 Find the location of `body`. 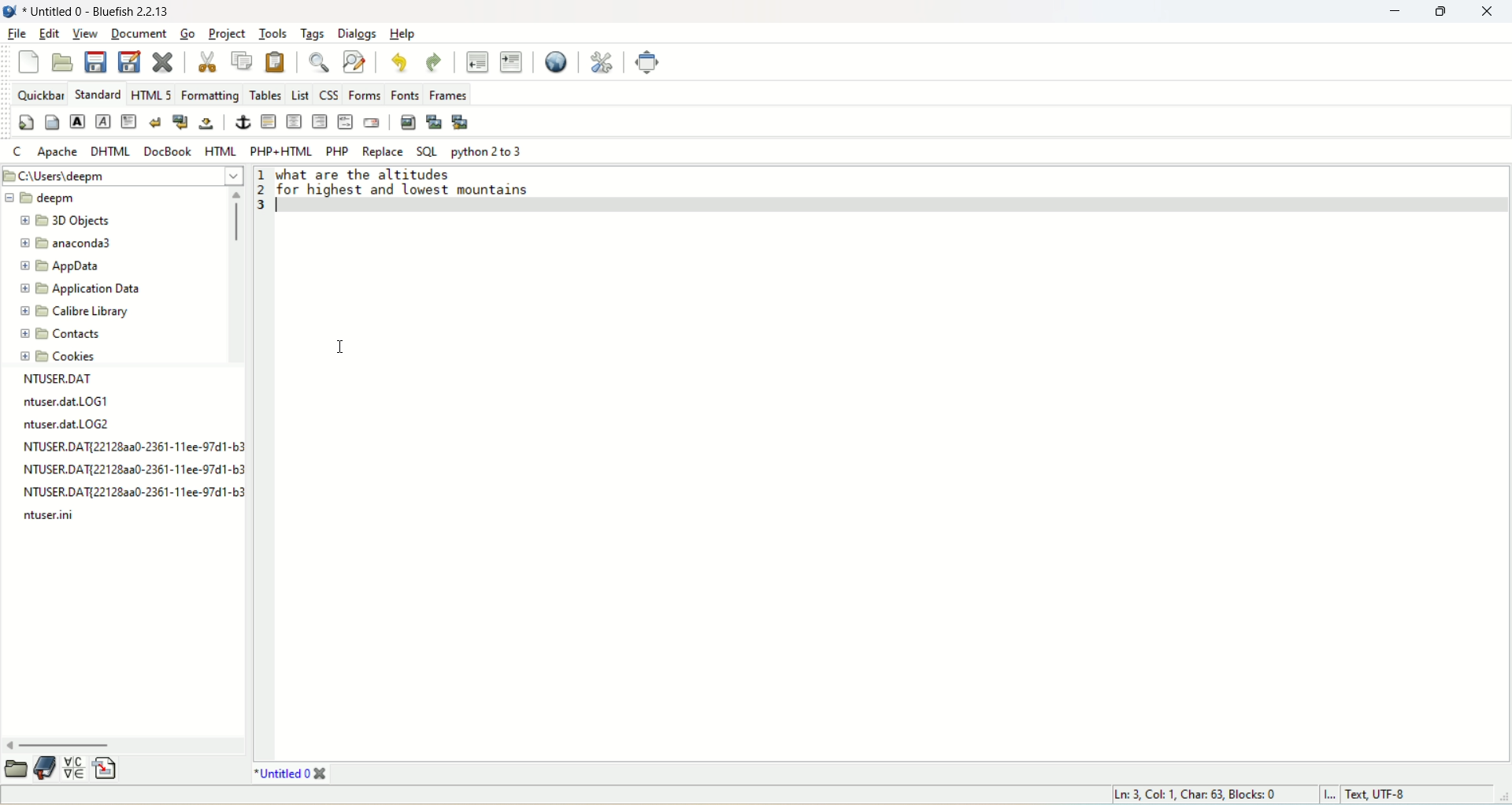

body is located at coordinates (51, 122).